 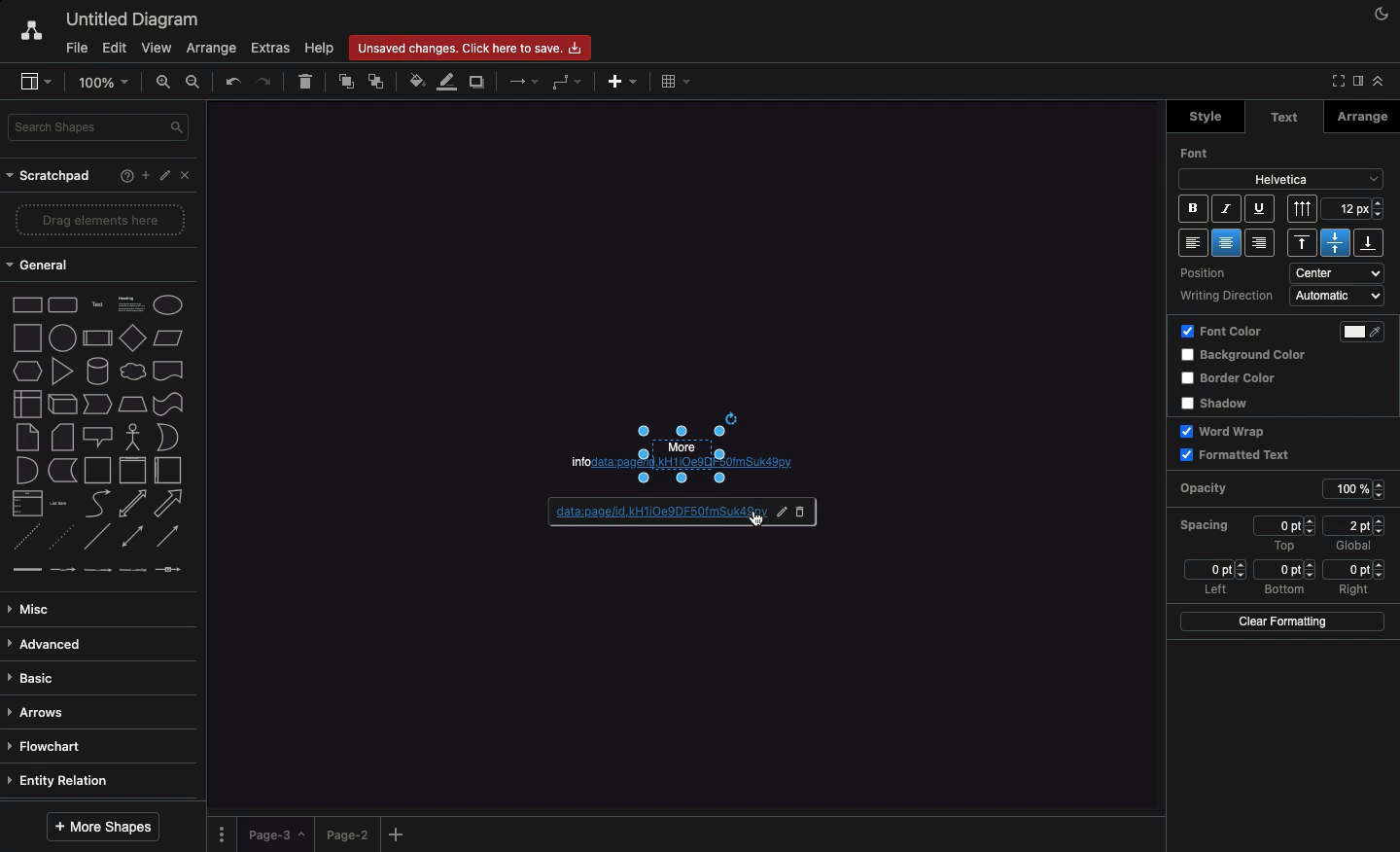 I want to click on 0 pt, so click(x=1286, y=525).